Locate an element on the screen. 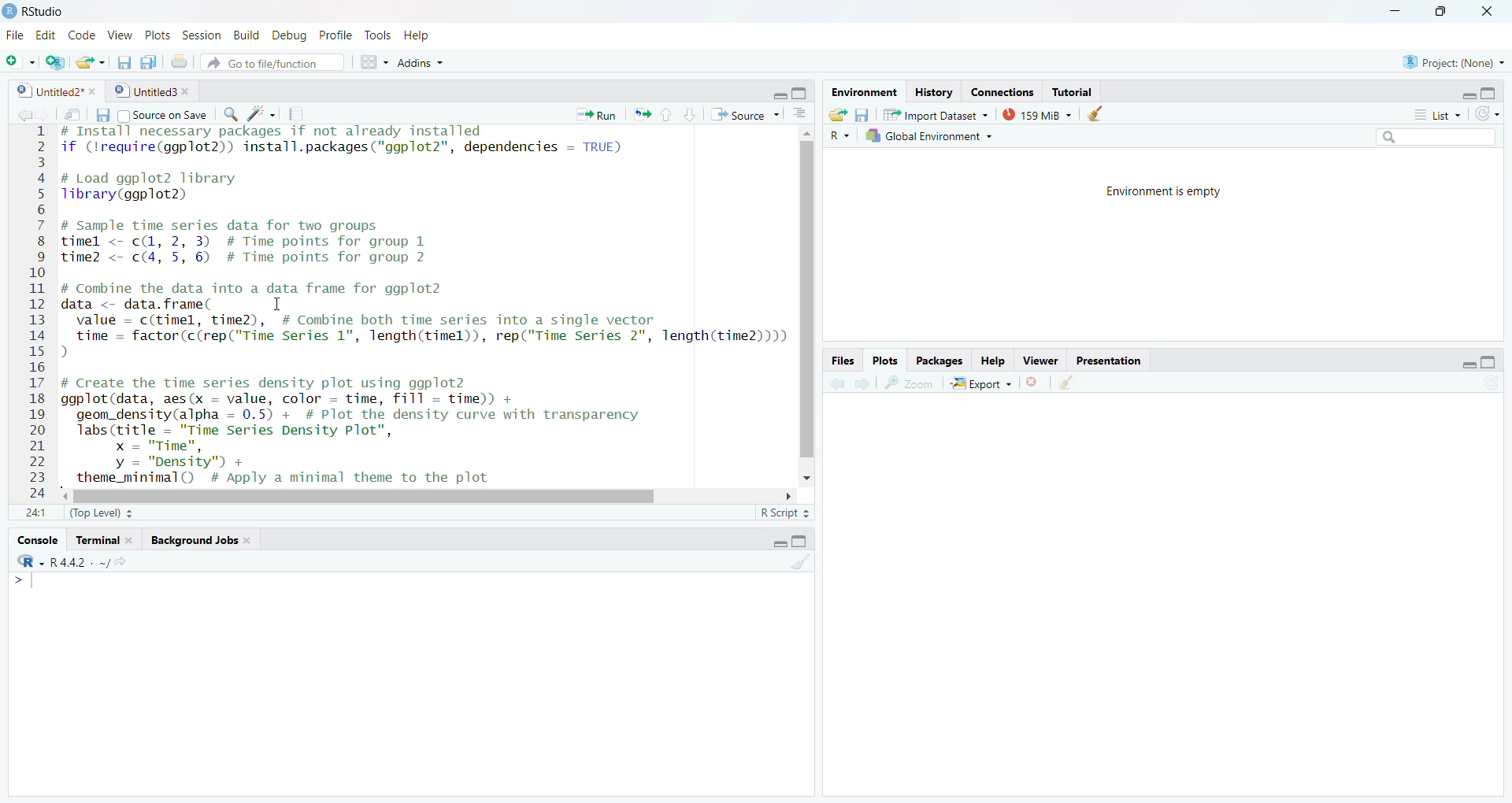  Maximize is located at coordinates (1488, 364).